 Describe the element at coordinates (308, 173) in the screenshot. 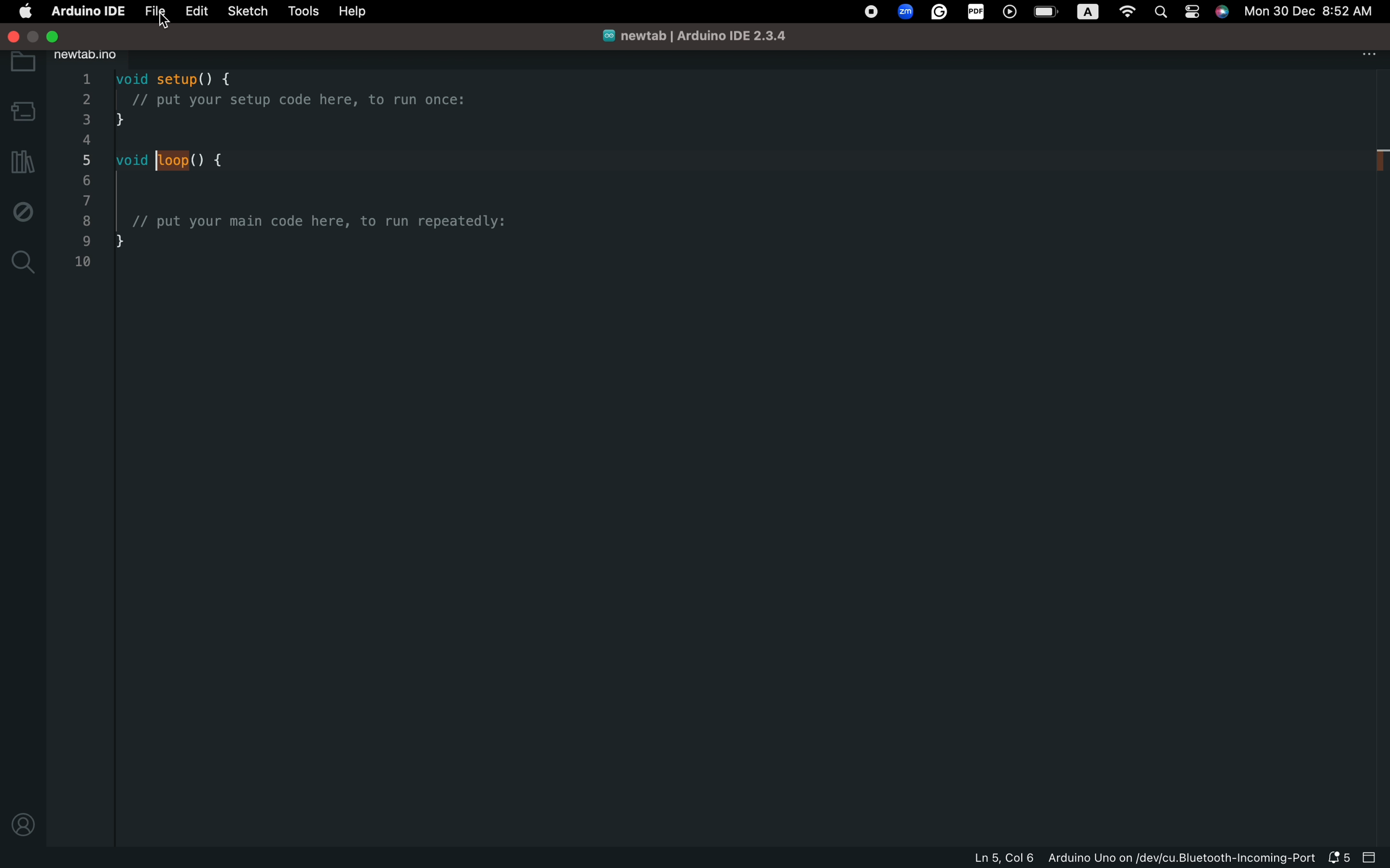

I see `code` at that location.